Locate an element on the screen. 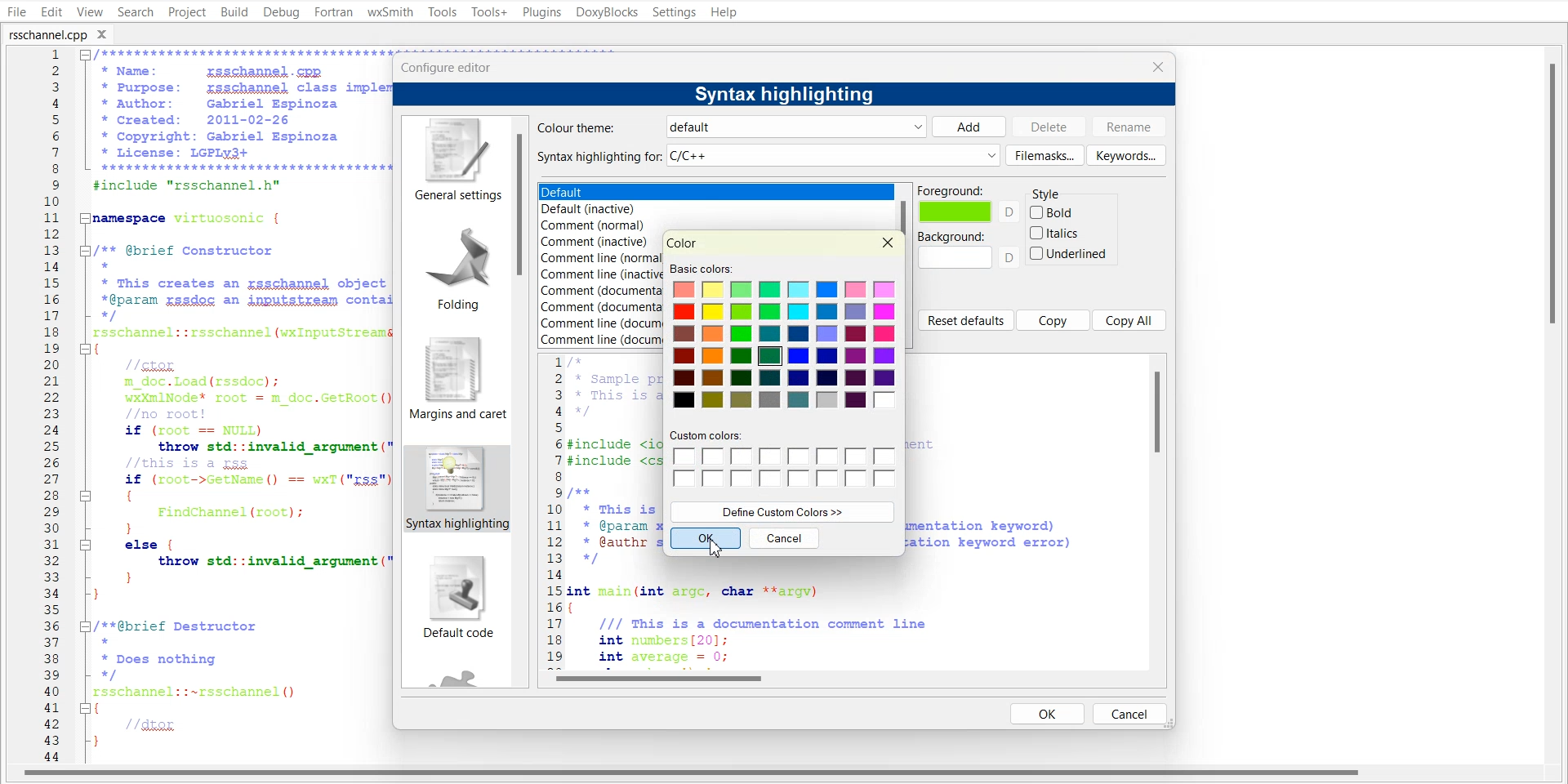  Underlined is located at coordinates (1069, 253).